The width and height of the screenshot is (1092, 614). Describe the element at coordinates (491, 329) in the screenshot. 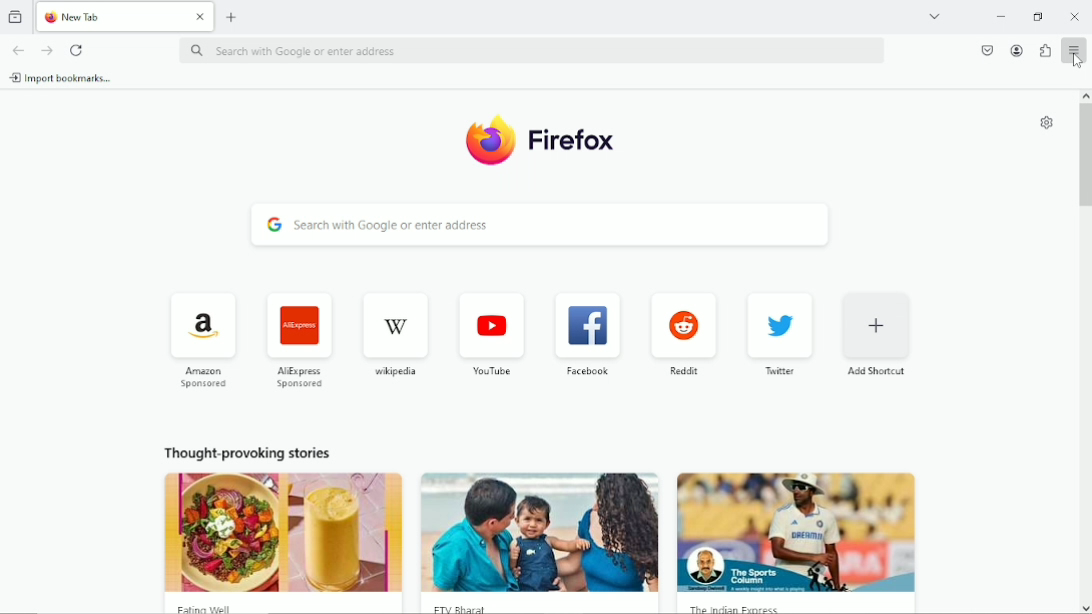

I see `icon` at that location.